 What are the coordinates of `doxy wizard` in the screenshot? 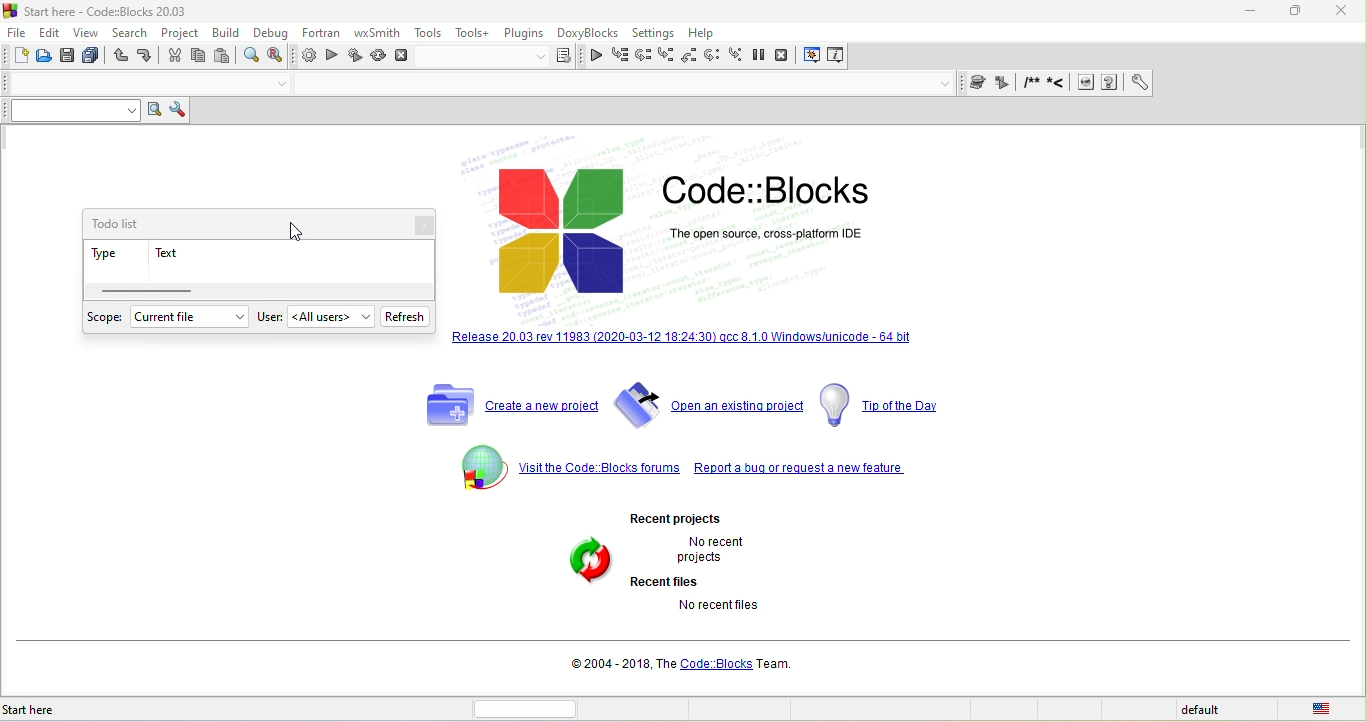 It's located at (981, 83).